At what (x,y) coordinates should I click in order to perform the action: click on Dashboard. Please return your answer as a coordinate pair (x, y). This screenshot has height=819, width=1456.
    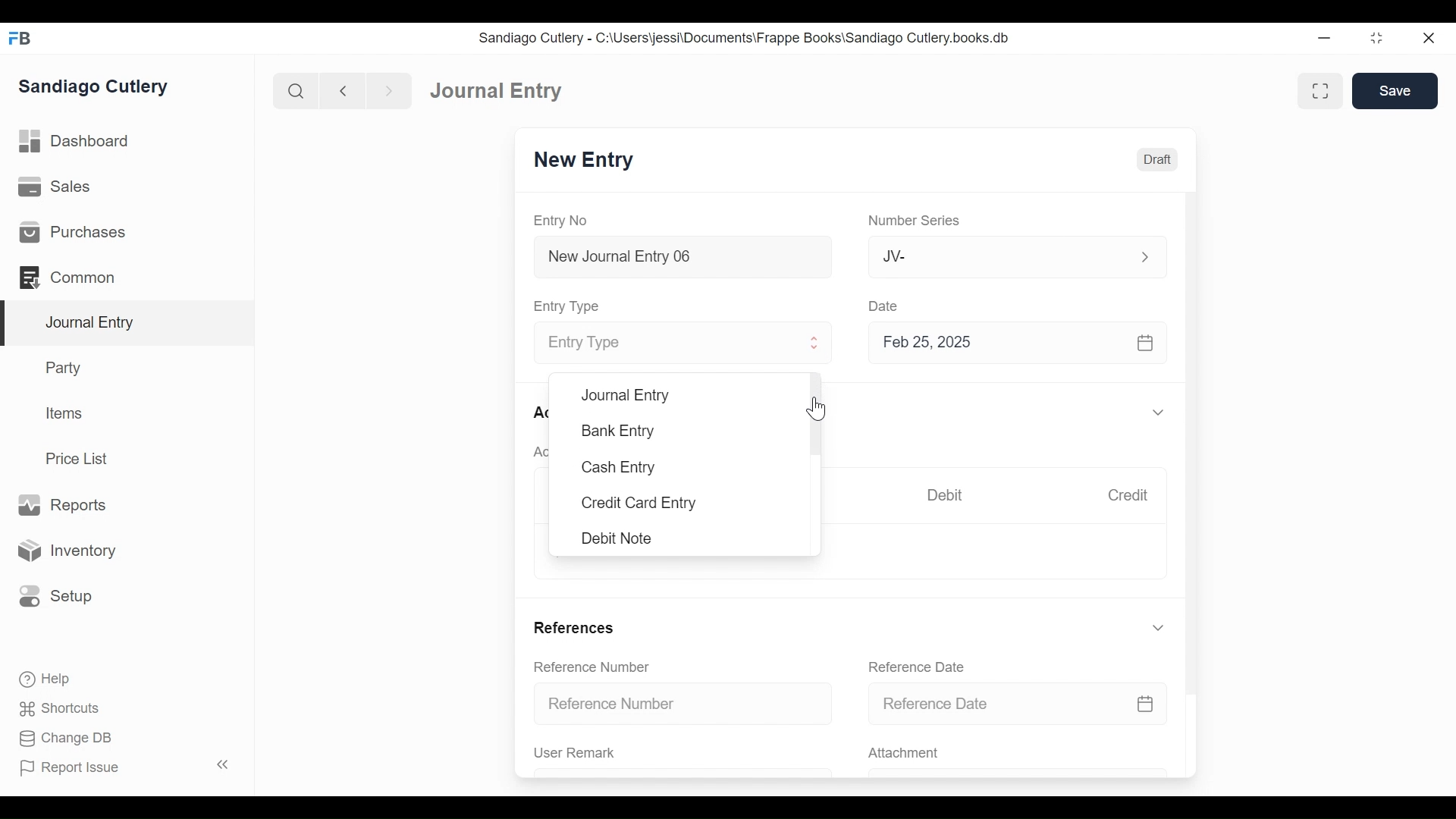
    Looking at the image, I should click on (76, 142).